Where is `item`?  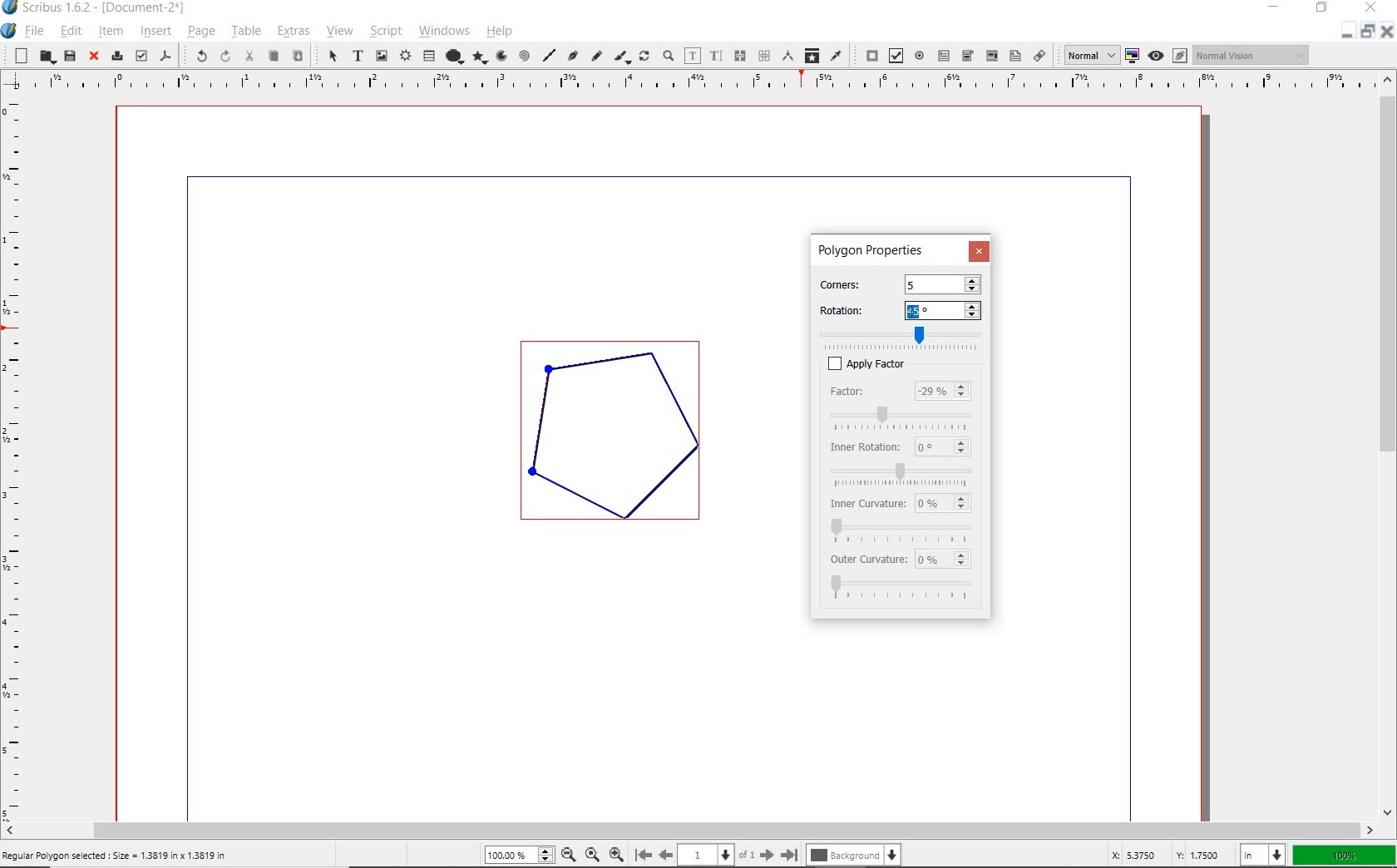
item is located at coordinates (111, 33).